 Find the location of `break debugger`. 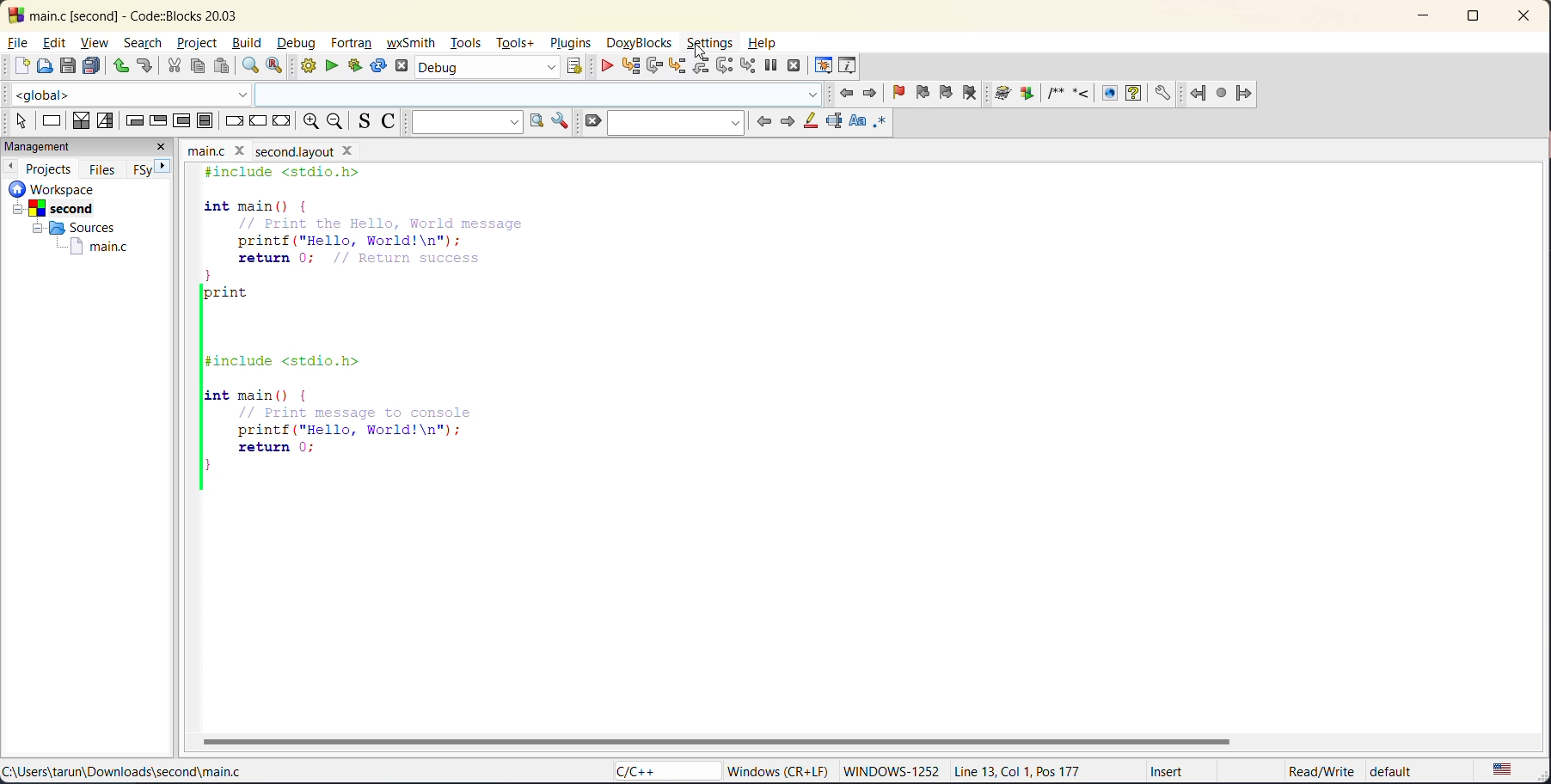

break debugger is located at coordinates (769, 65).